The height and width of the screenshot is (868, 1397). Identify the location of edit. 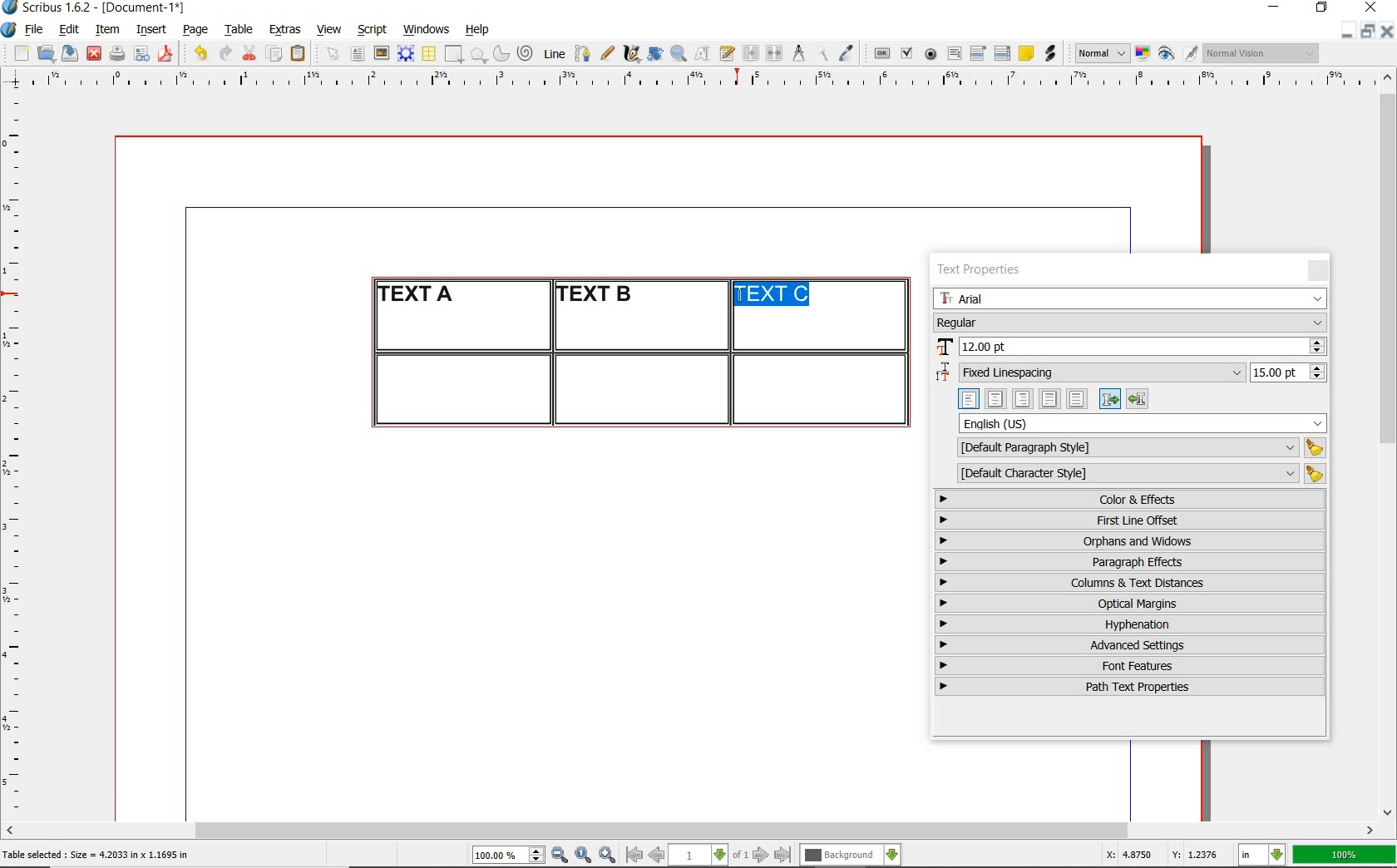
(70, 29).